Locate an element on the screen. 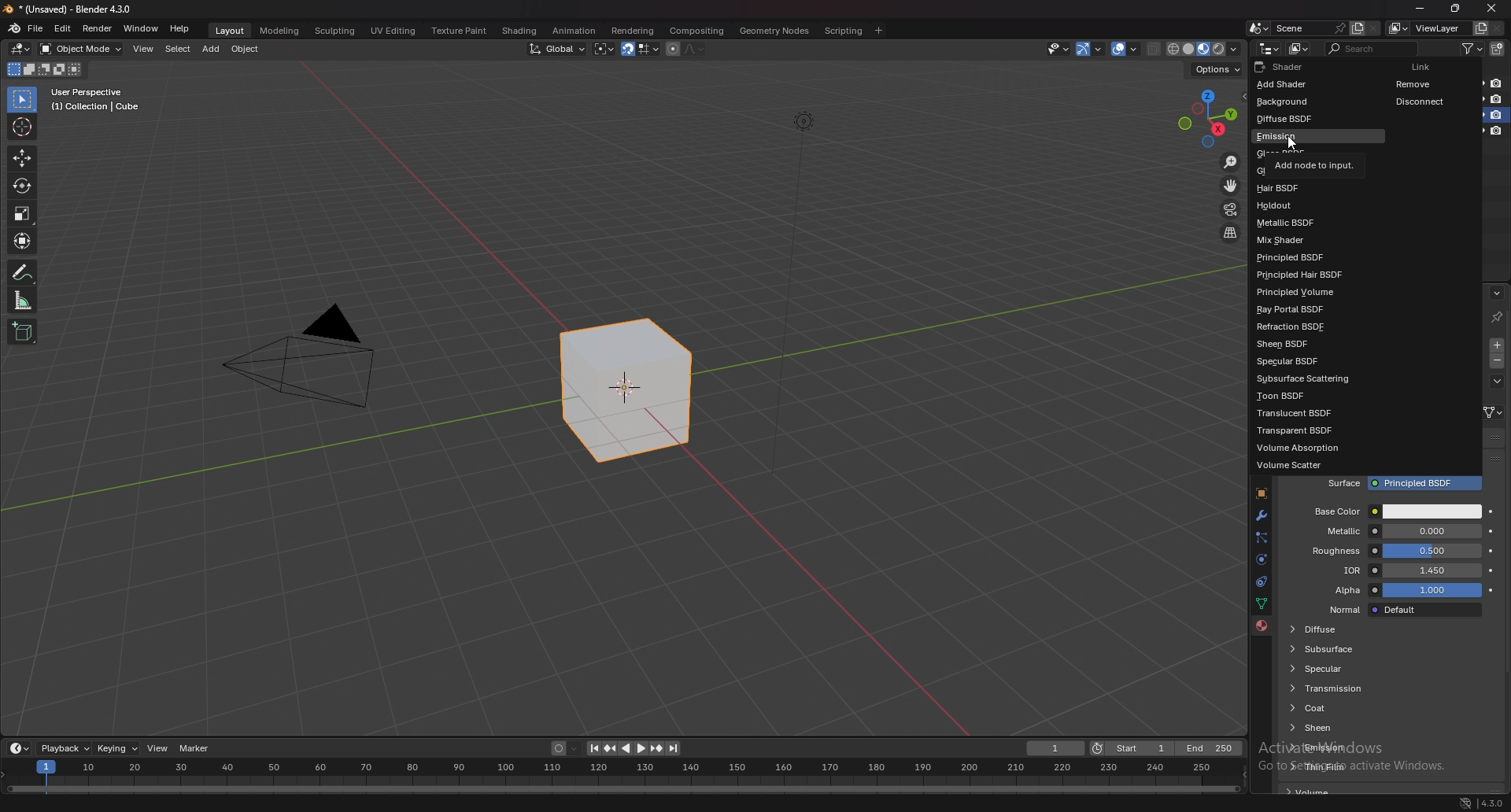 Image resolution: width=1511 pixels, height=812 pixels. specular bsdf is located at coordinates (1302, 360).